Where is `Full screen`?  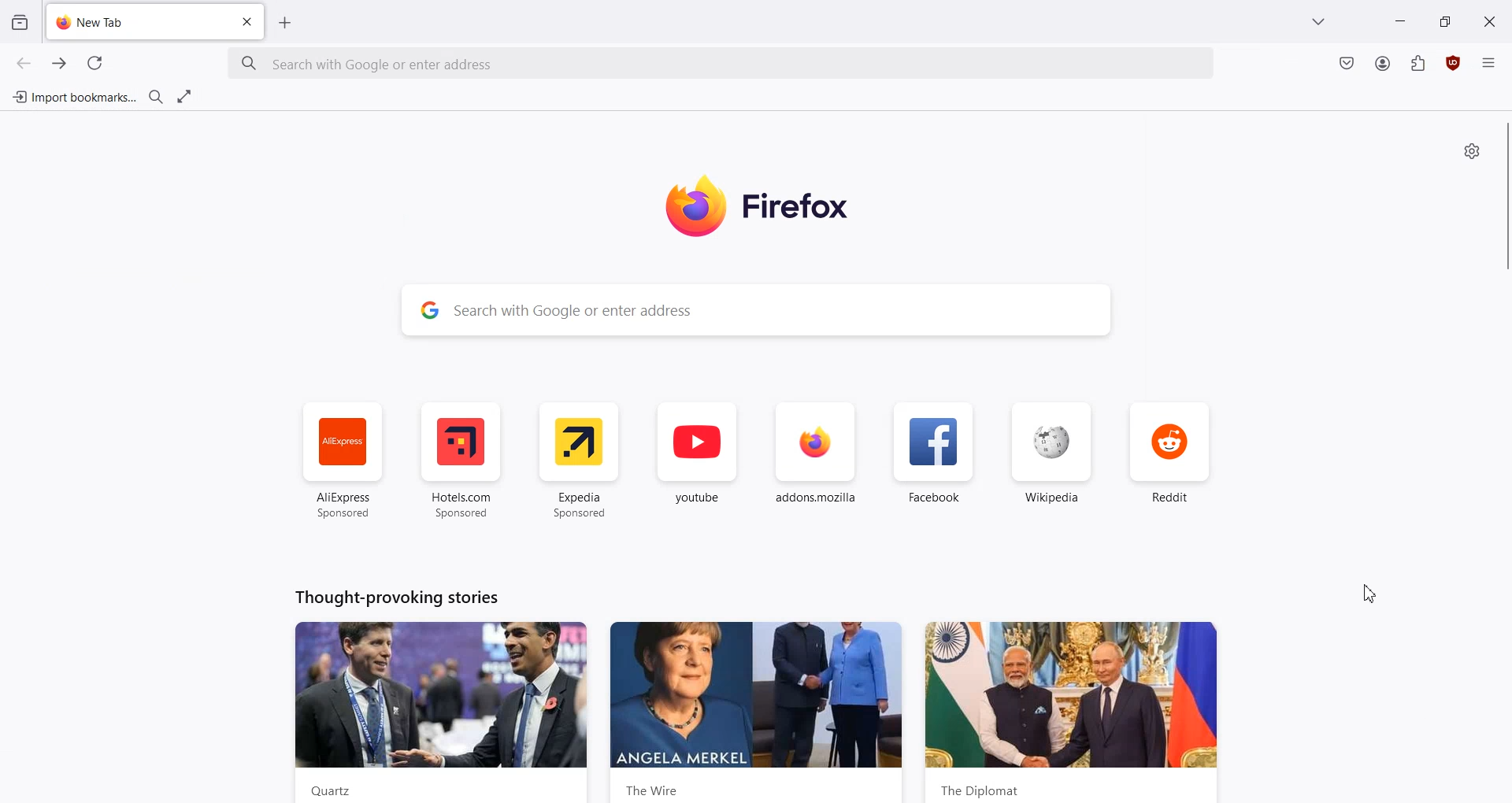
Full screen is located at coordinates (185, 96).